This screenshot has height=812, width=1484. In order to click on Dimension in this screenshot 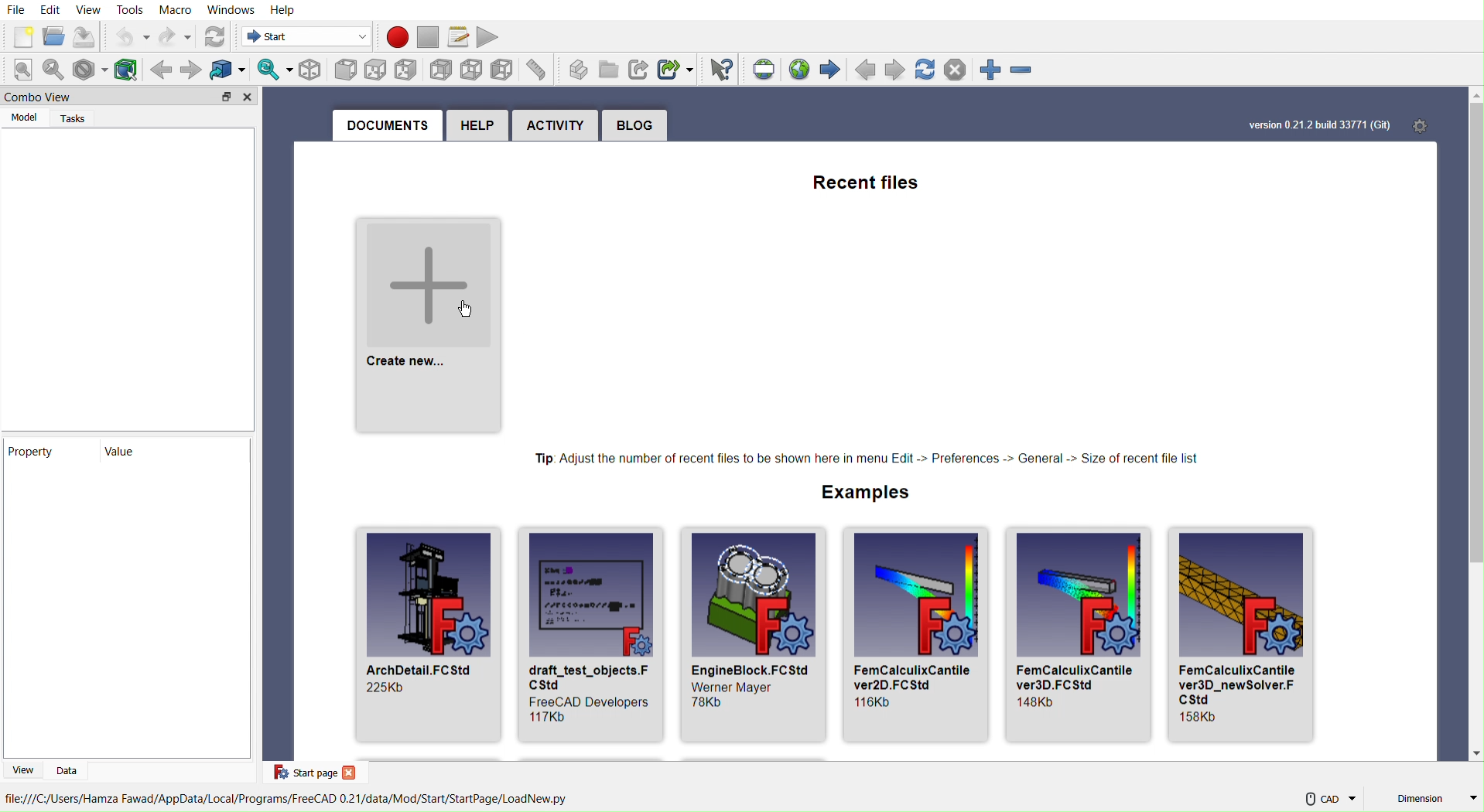, I will do `click(1436, 798)`.